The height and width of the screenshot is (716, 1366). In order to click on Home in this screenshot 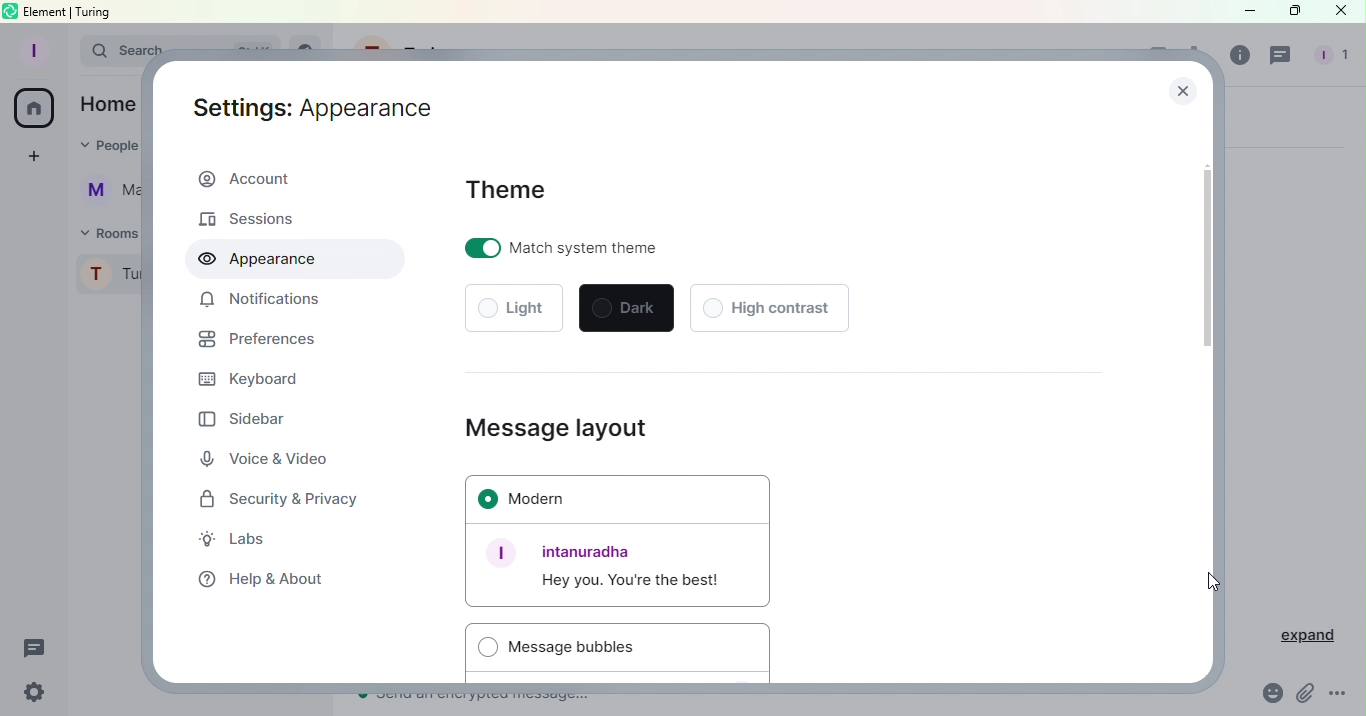, I will do `click(37, 110)`.